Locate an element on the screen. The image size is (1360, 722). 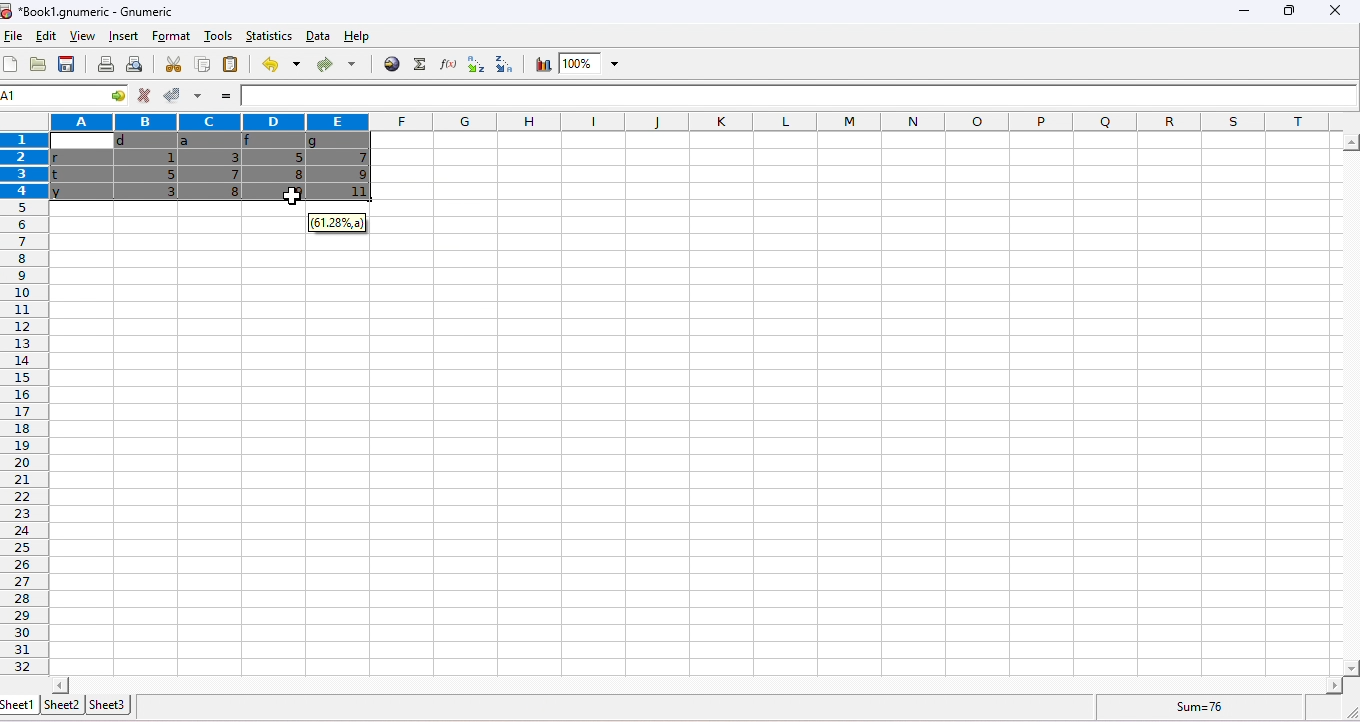
selected cell ranges is located at coordinates (28, 97).